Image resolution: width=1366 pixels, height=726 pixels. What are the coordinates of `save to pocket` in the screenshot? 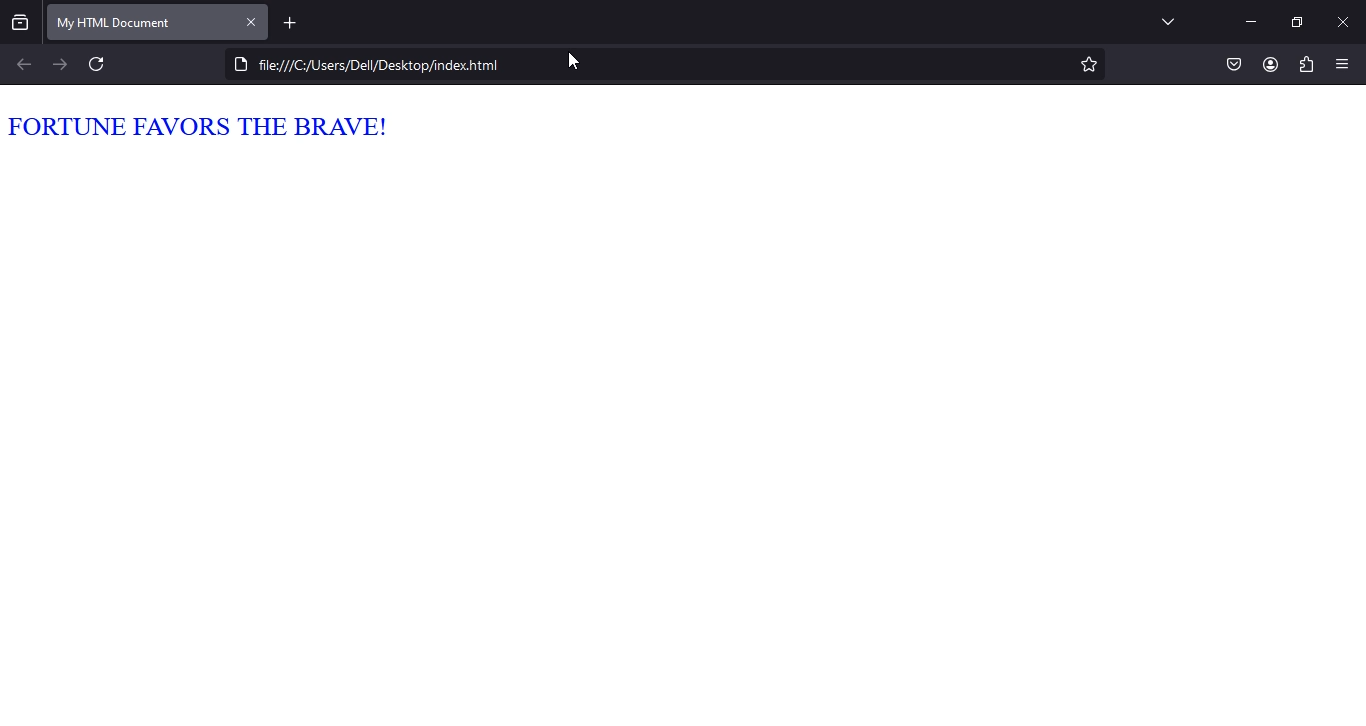 It's located at (1235, 64).